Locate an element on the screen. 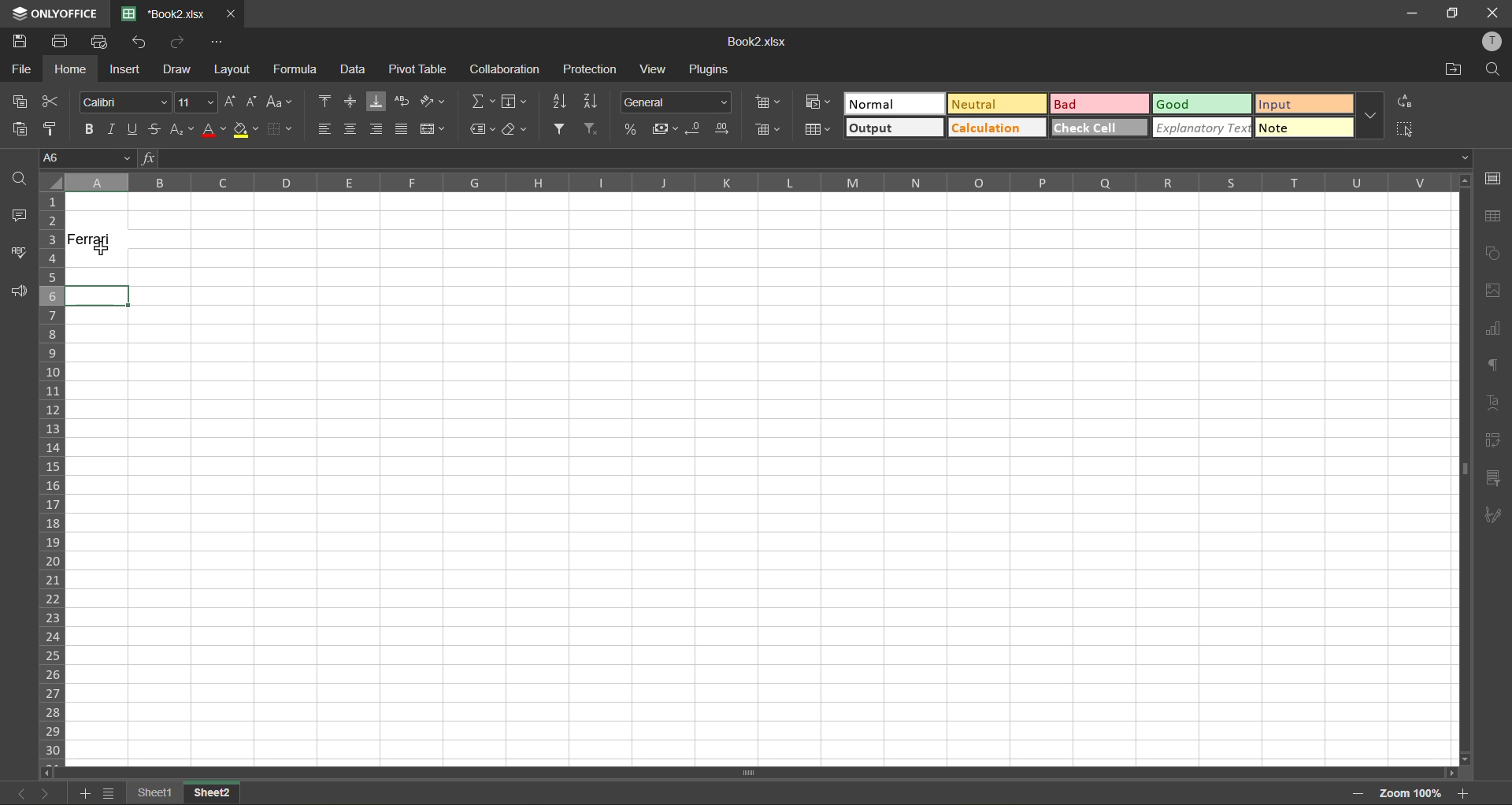  orientation is located at coordinates (431, 98).